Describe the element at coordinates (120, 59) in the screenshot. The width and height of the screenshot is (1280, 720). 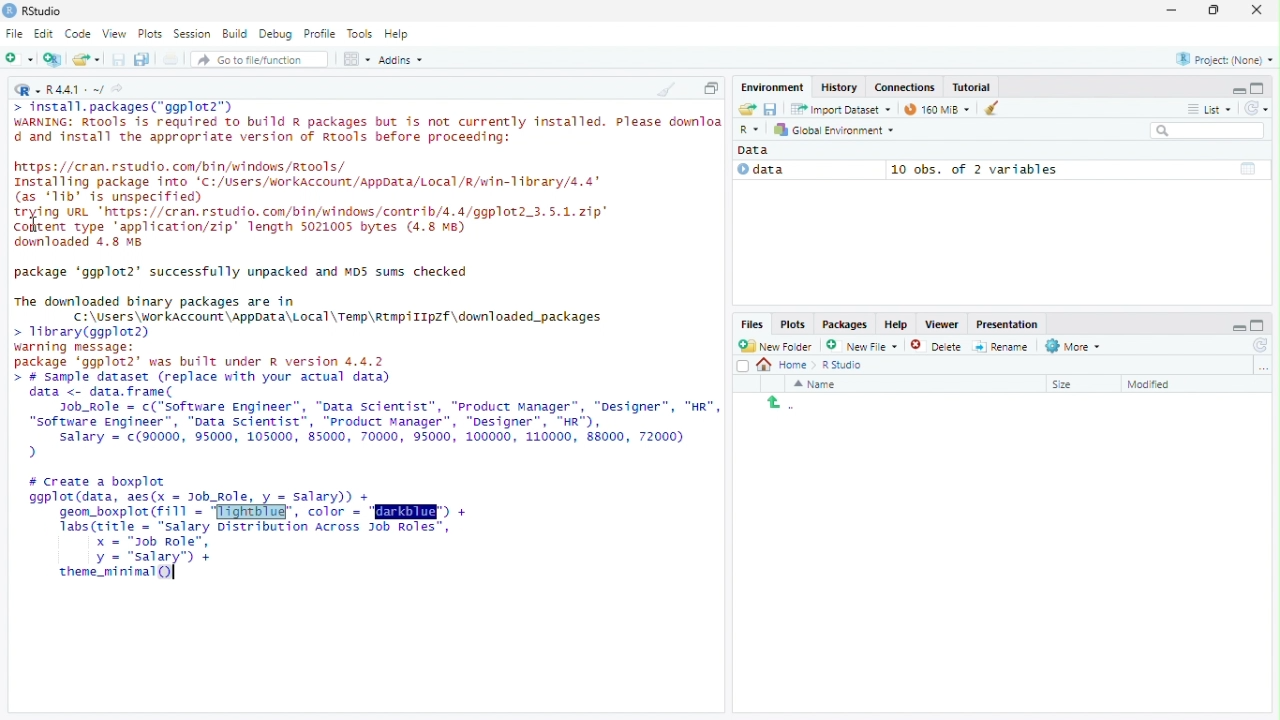
I see `Save current document` at that location.